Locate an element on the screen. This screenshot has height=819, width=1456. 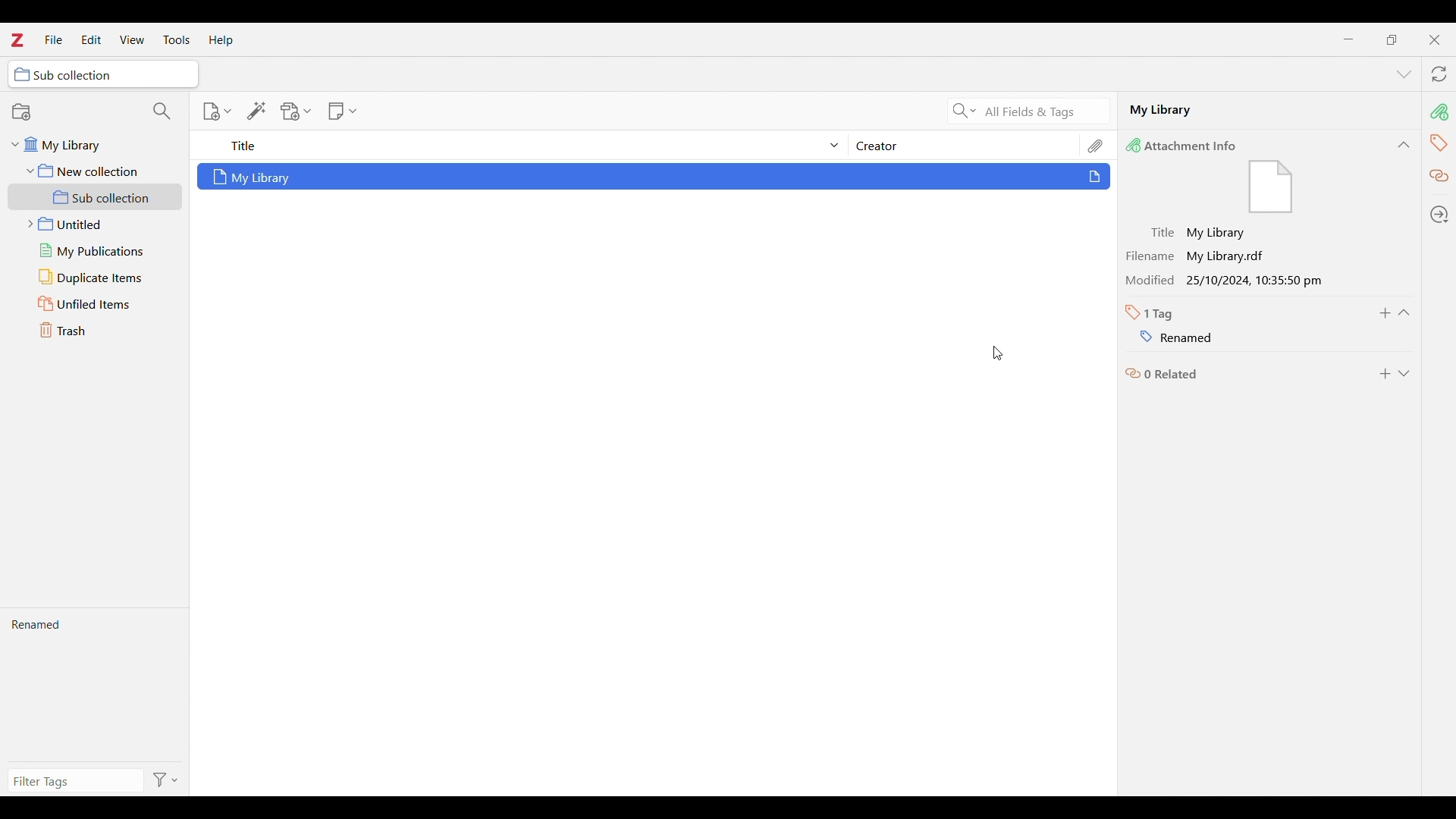
Attachments is located at coordinates (1097, 146).